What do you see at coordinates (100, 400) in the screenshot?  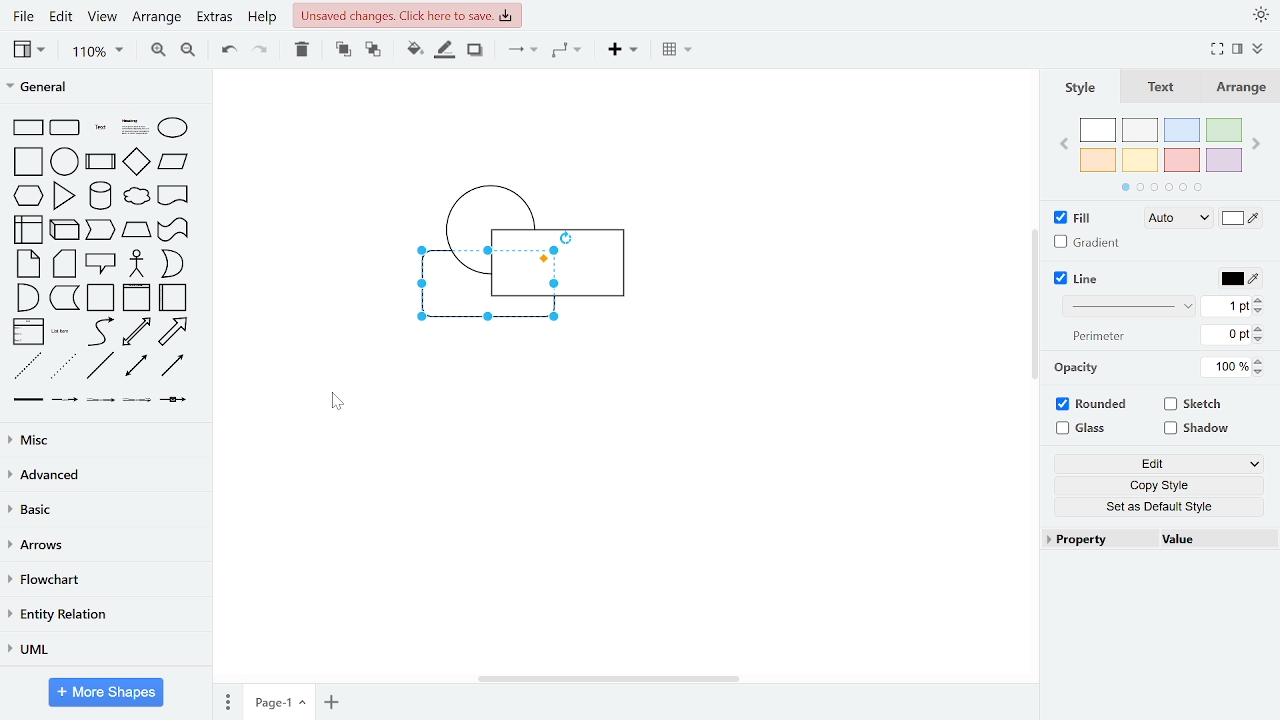 I see `connector with 2 label` at bounding box center [100, 400].